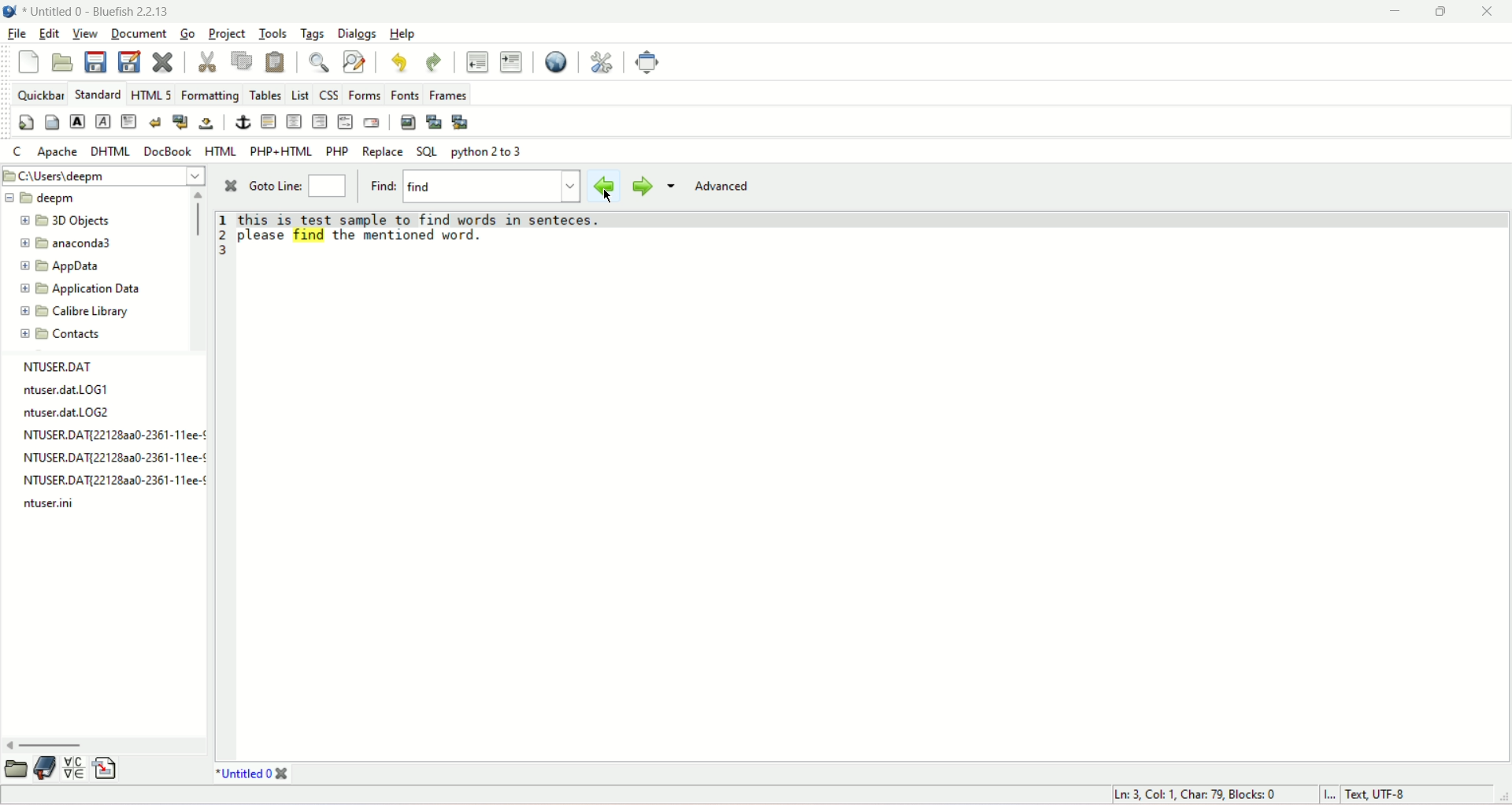 Image resolution: width=1512 pixels, height=805 pixels. I want to click on SQL, so click(428, 150).